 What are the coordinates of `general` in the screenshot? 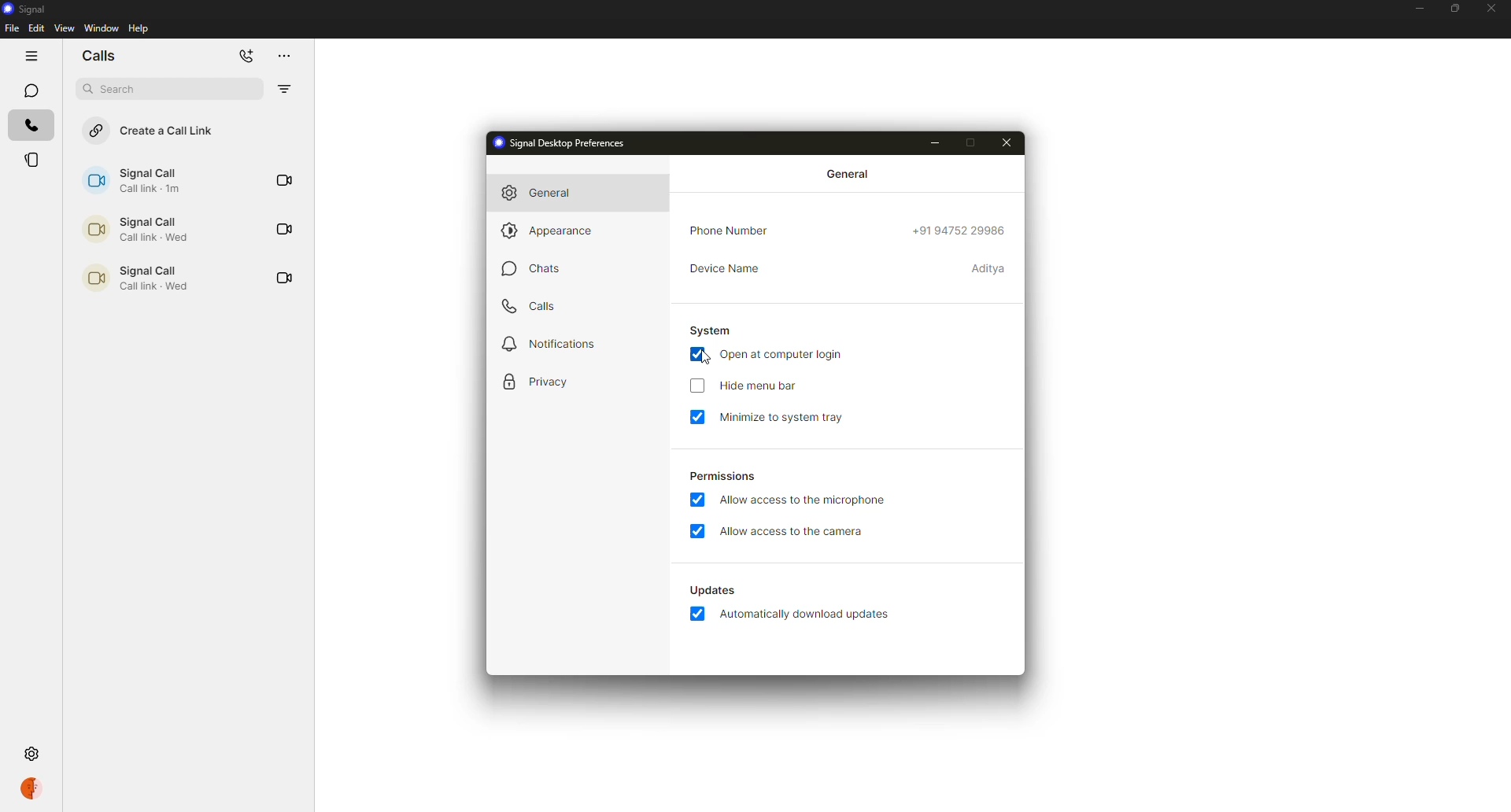 It's located at (545, 193).